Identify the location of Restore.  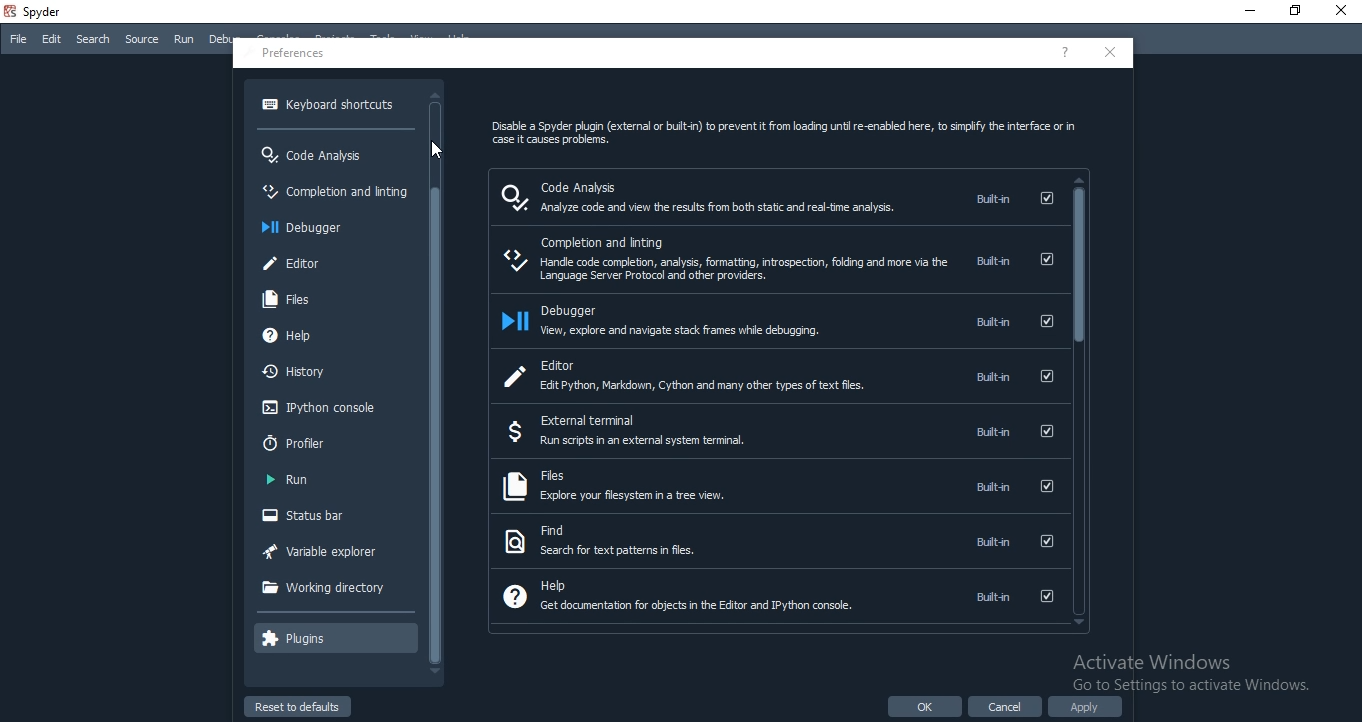
(1296, 10).